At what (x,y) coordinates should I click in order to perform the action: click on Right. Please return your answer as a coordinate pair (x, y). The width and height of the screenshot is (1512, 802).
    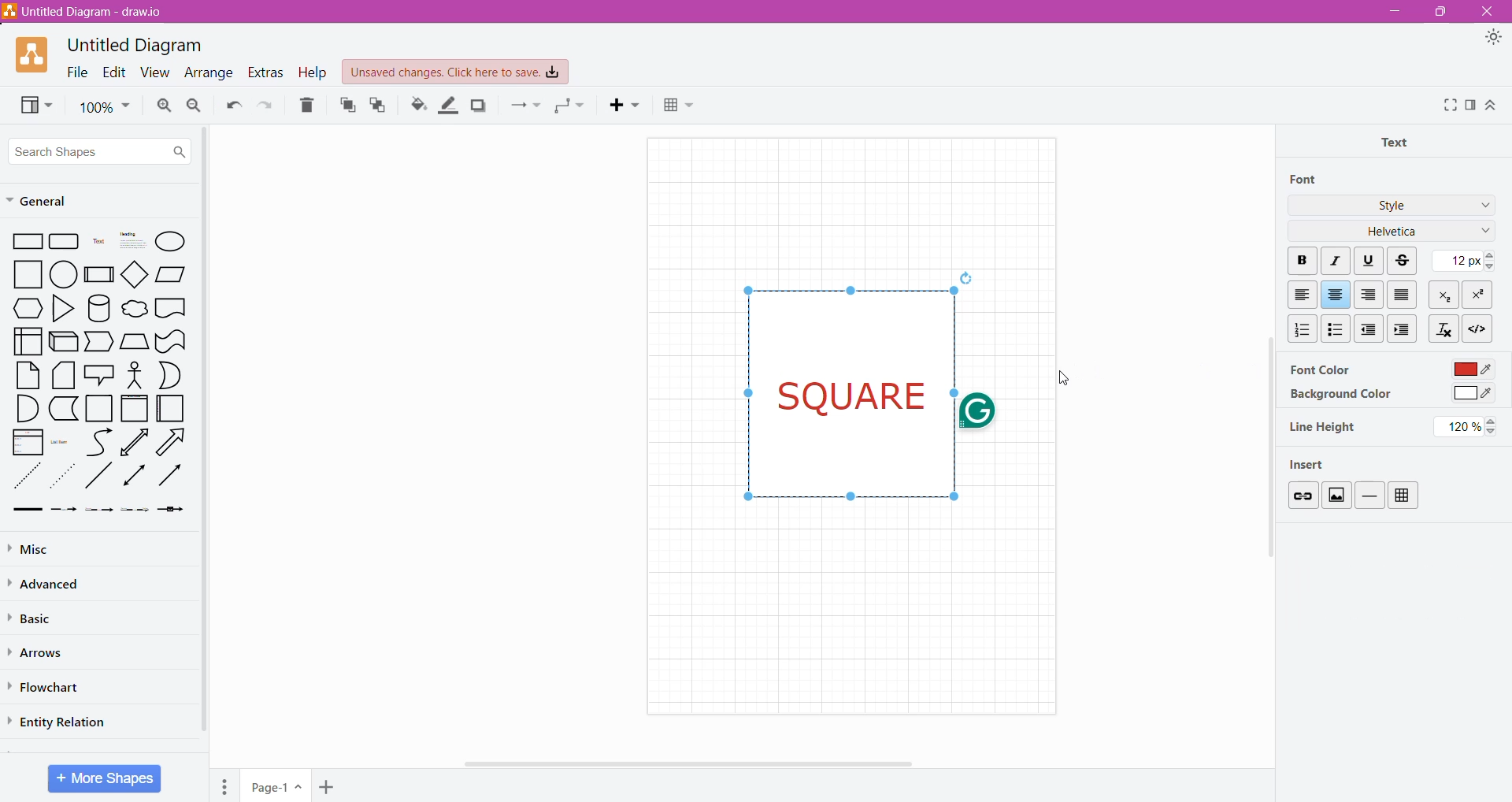
    Looking at the image, I should click on (1370, 295).